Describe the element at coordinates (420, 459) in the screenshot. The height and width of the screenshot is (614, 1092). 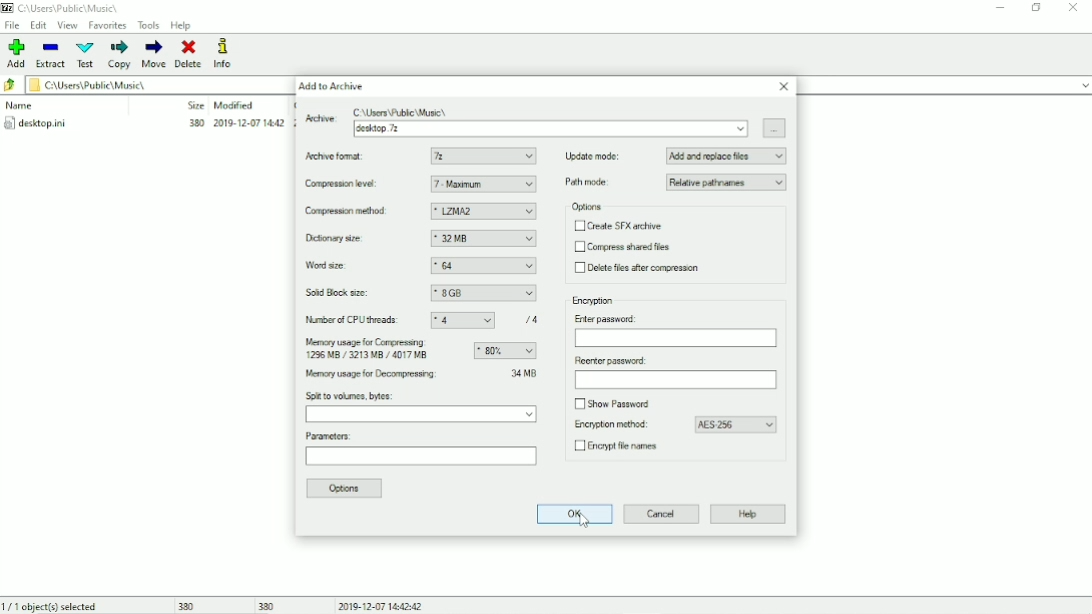
I see `Parameters` at that location.